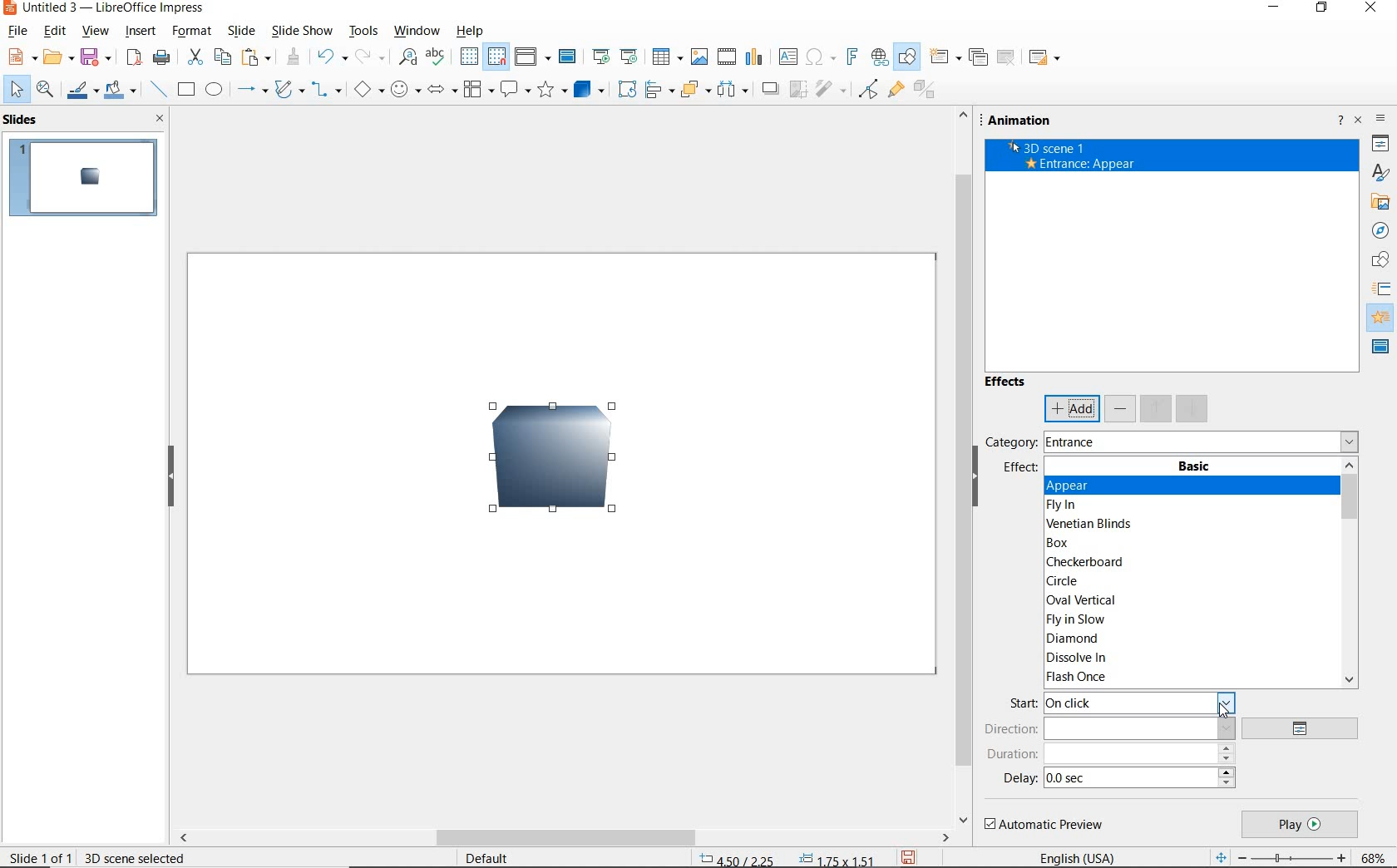  Describe the element at coordinates (1109, 728) in the screenshot. I see `direction` at that location.